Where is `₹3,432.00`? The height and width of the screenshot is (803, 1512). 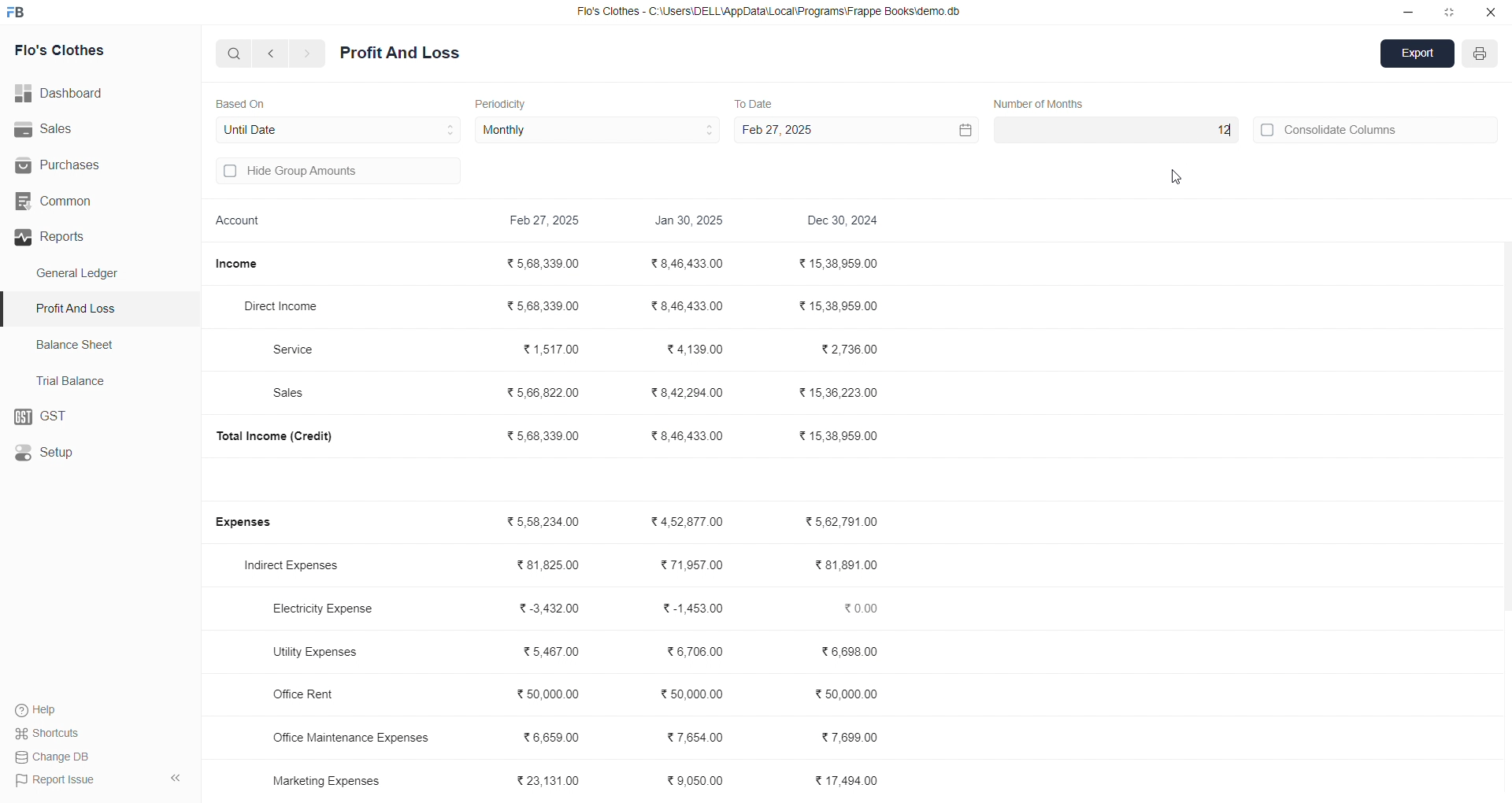 ₹3,432.00 is located at coordinates (551, 609).